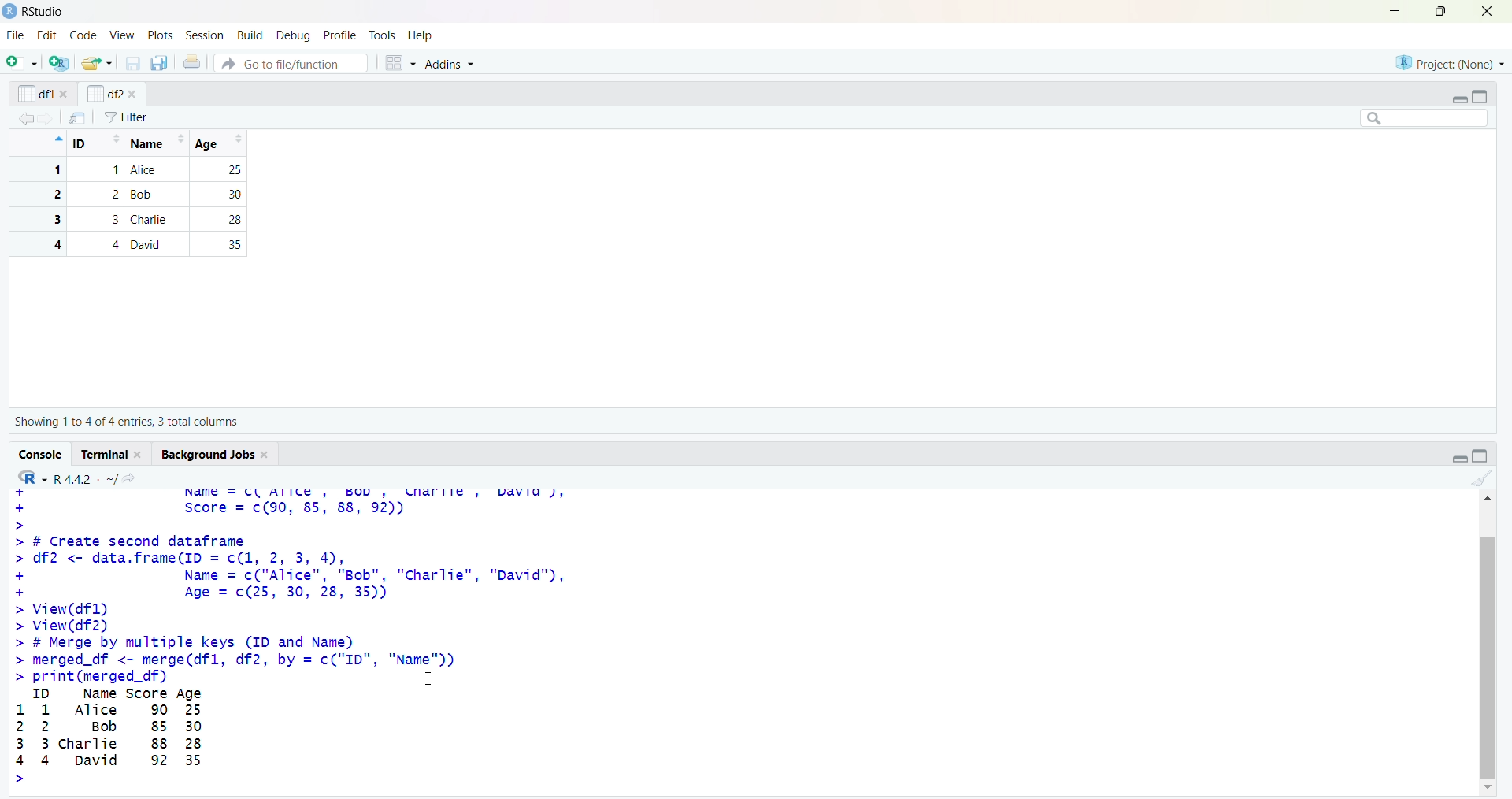 The image size is (1512, 799). What do you see at coordinates (47, 119) in the screenshot?
I see `forward` at bounding box center [47, 119].